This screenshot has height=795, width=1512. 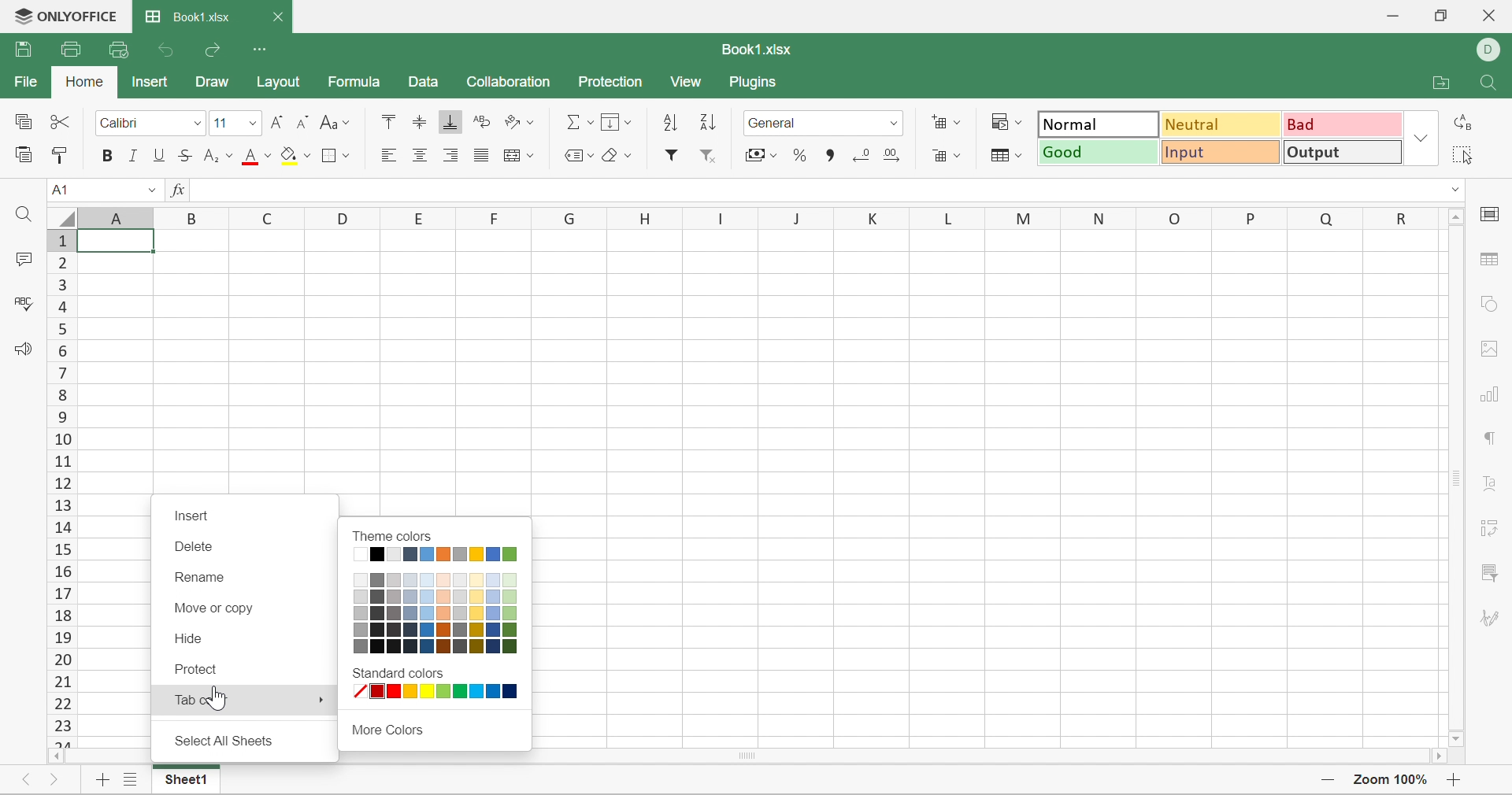 I want to click on O, so click(x=1173, y=215).